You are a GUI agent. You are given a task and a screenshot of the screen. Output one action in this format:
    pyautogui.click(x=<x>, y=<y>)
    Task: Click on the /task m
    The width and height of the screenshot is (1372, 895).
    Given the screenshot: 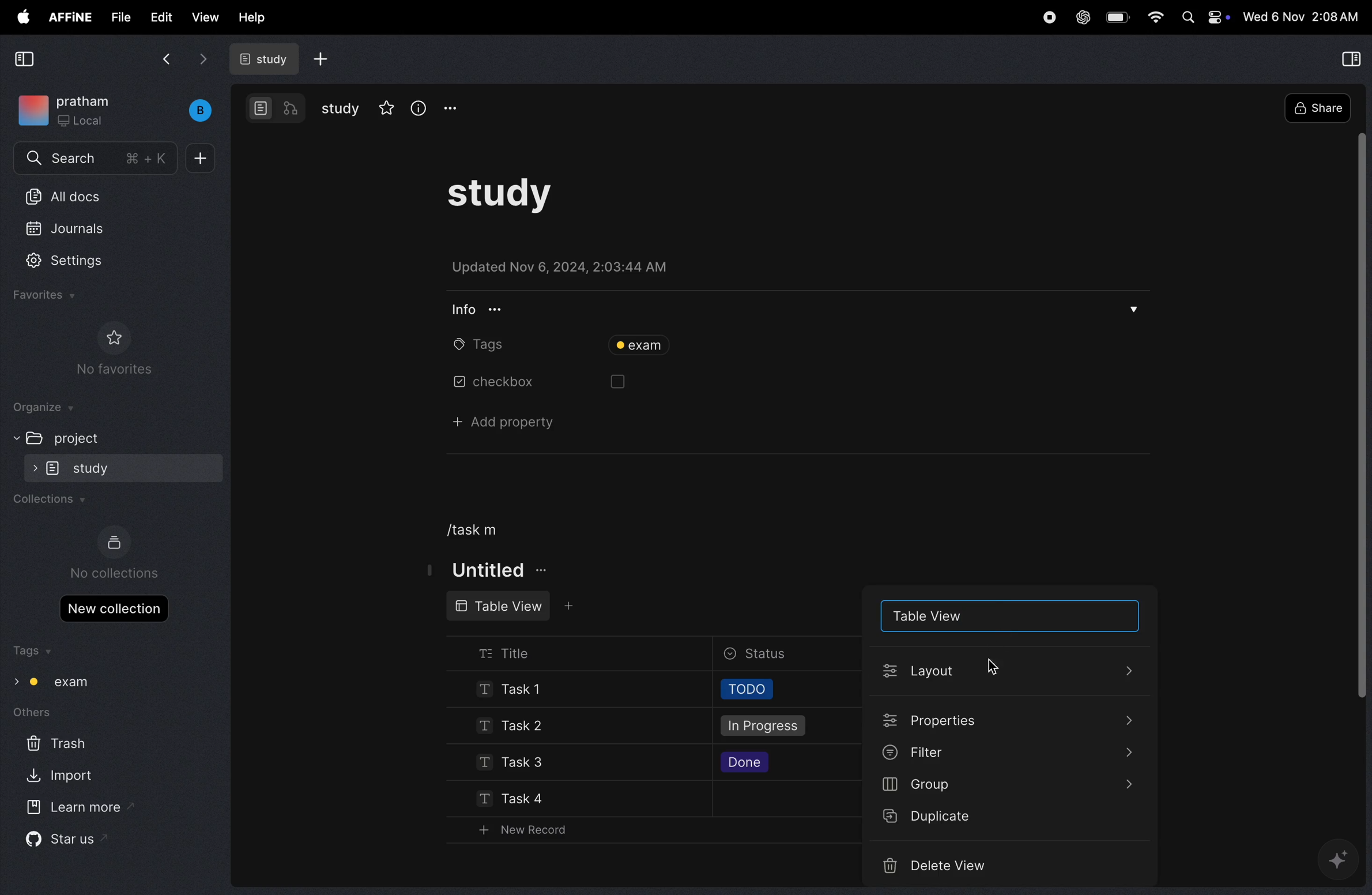 What is the action you would take?
    pyautogui.click(x=468, y=529)
    